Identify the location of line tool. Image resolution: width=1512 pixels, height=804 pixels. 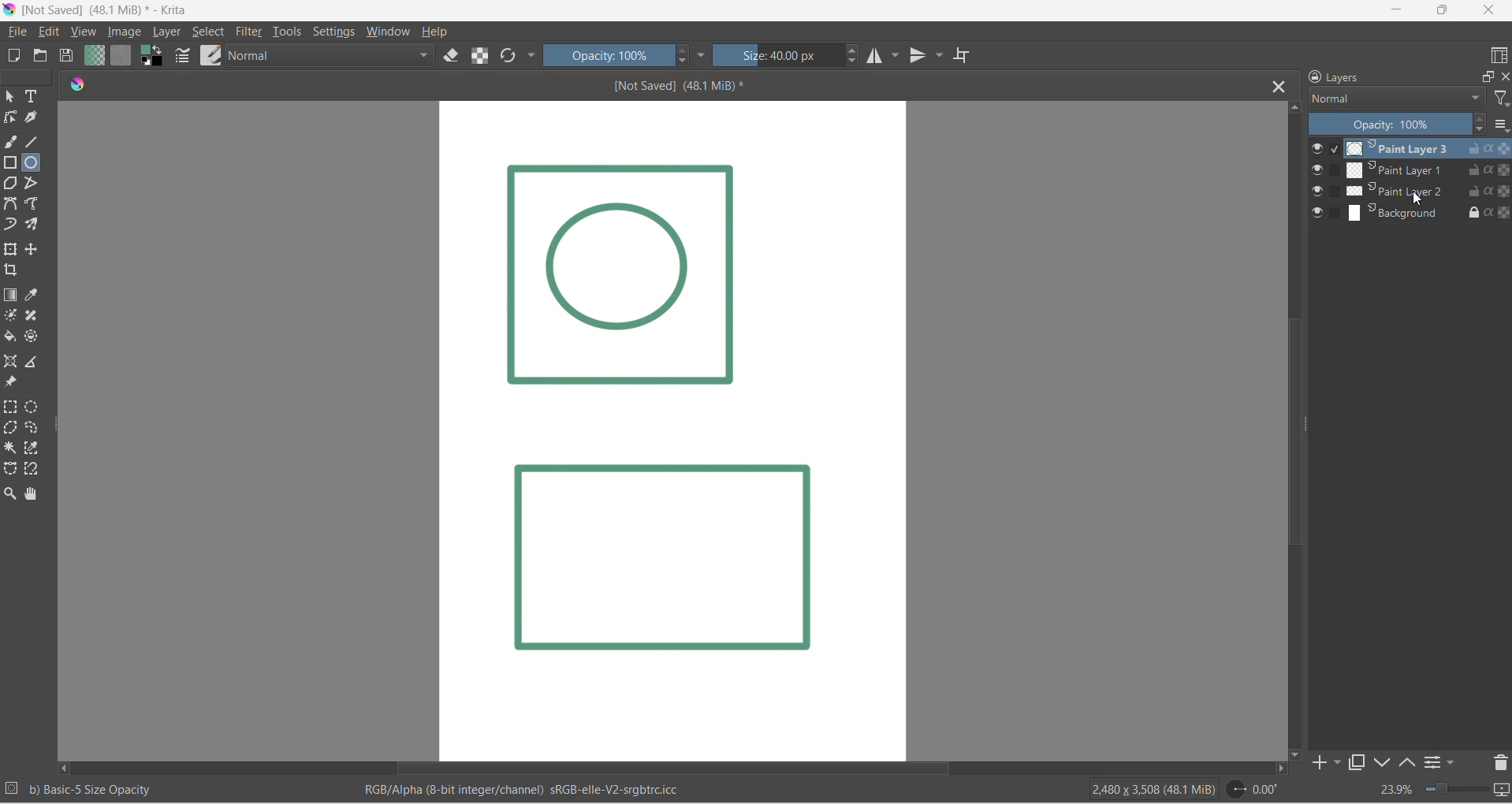
(35, 141).